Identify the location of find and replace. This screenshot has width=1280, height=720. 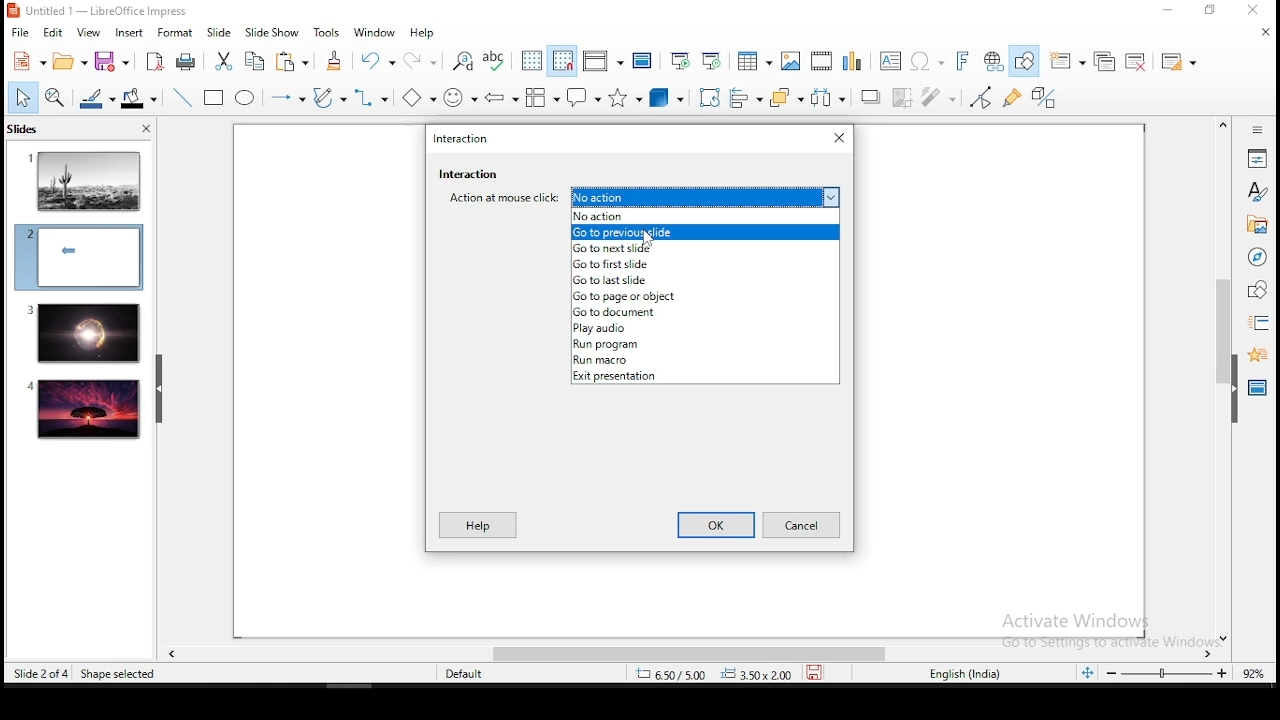
(463, 59).